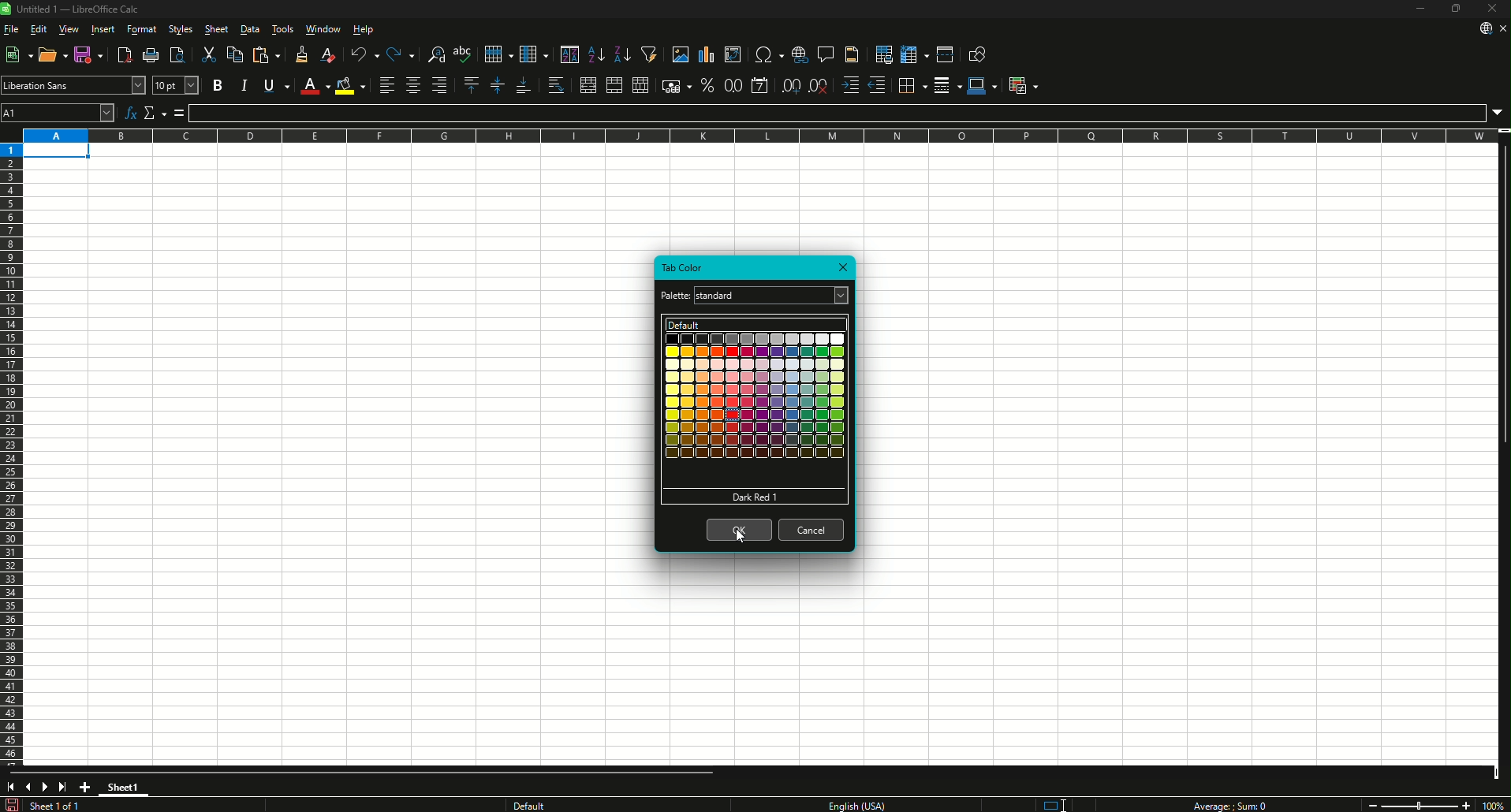  Describe the element at coordinates (650, 54) in the screenshot. I see `Auto Filter` at that location.